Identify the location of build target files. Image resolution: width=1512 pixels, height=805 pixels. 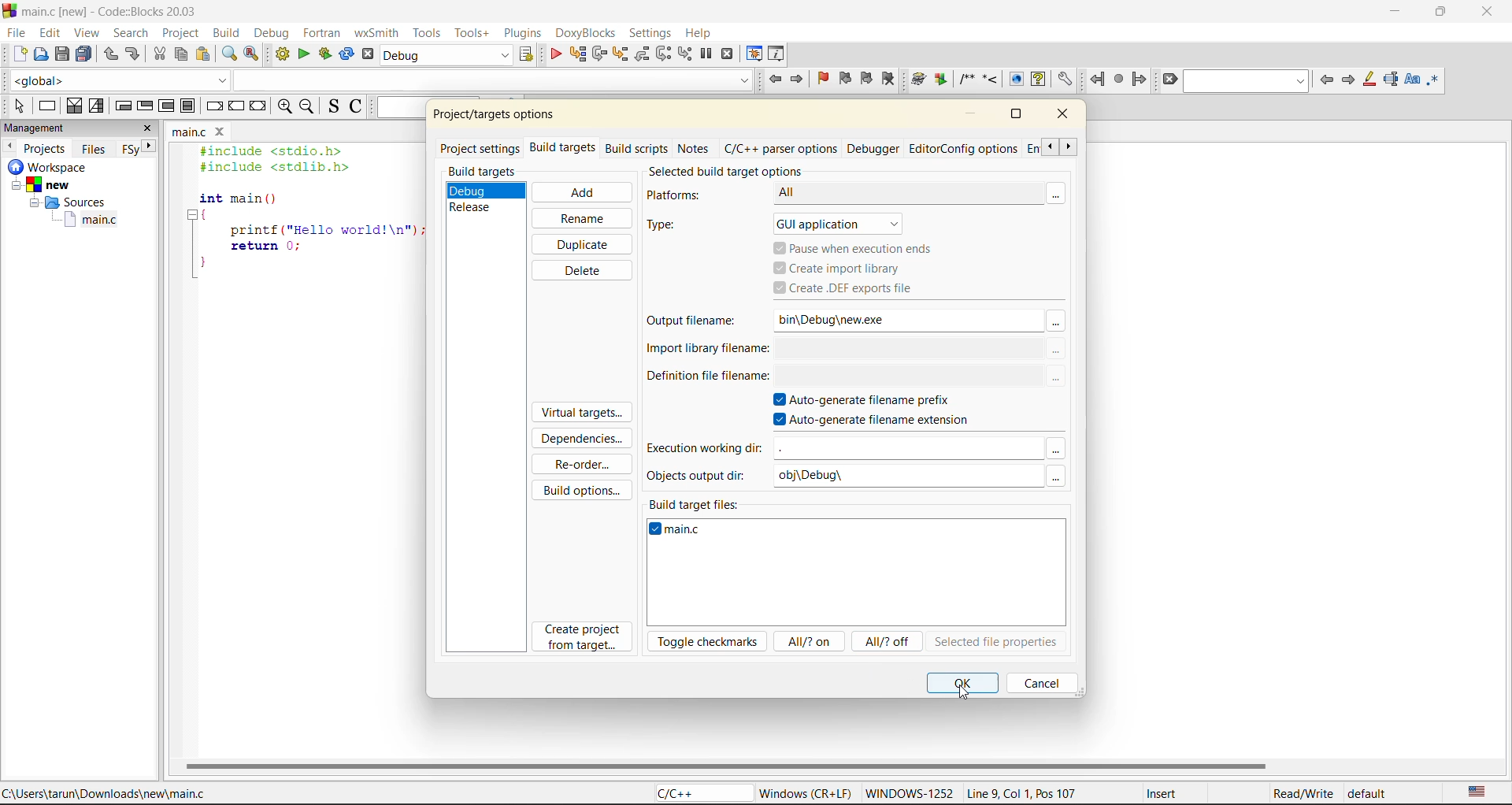
(702, 503).